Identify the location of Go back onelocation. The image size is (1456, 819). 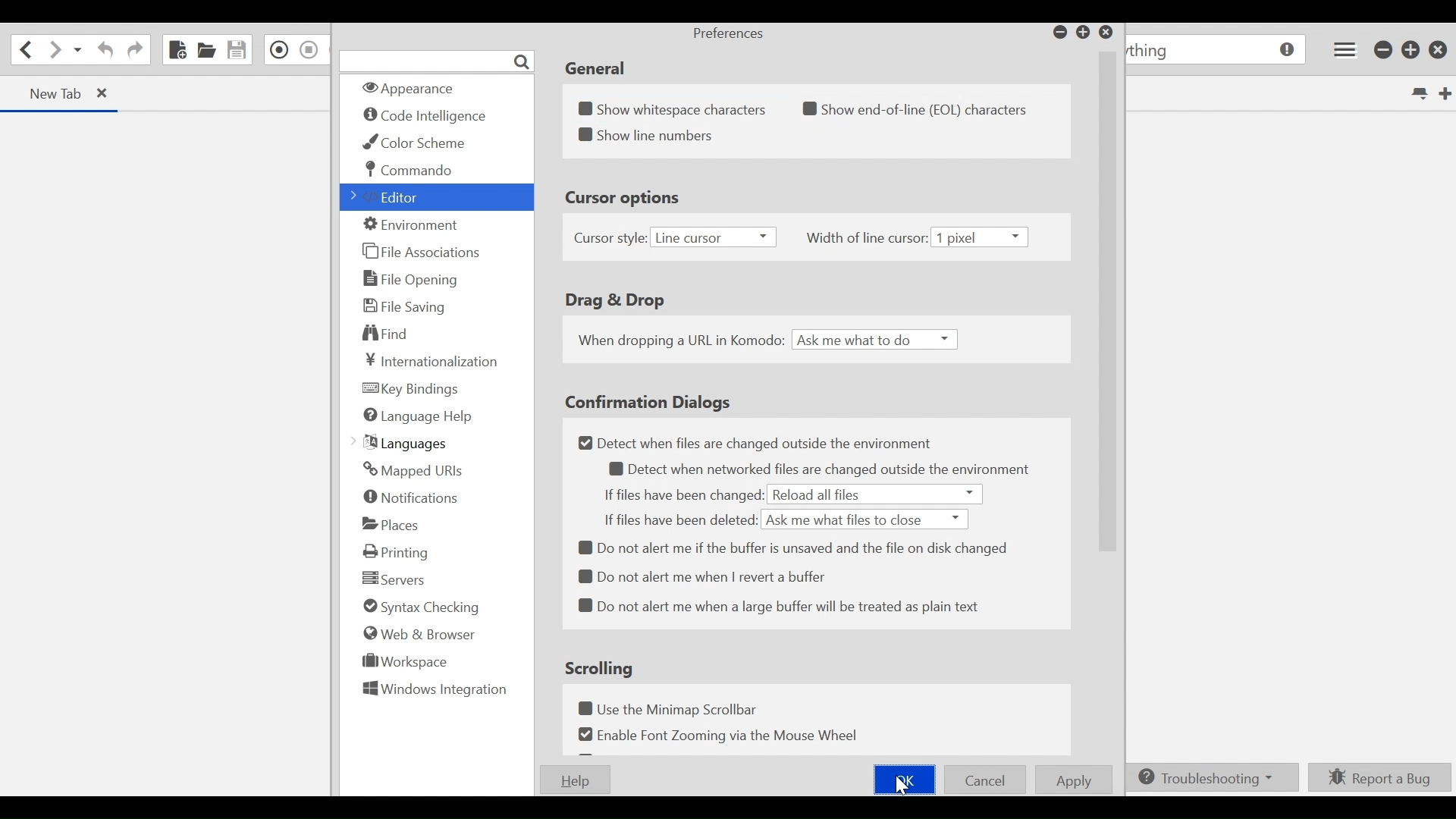
(24, 49).